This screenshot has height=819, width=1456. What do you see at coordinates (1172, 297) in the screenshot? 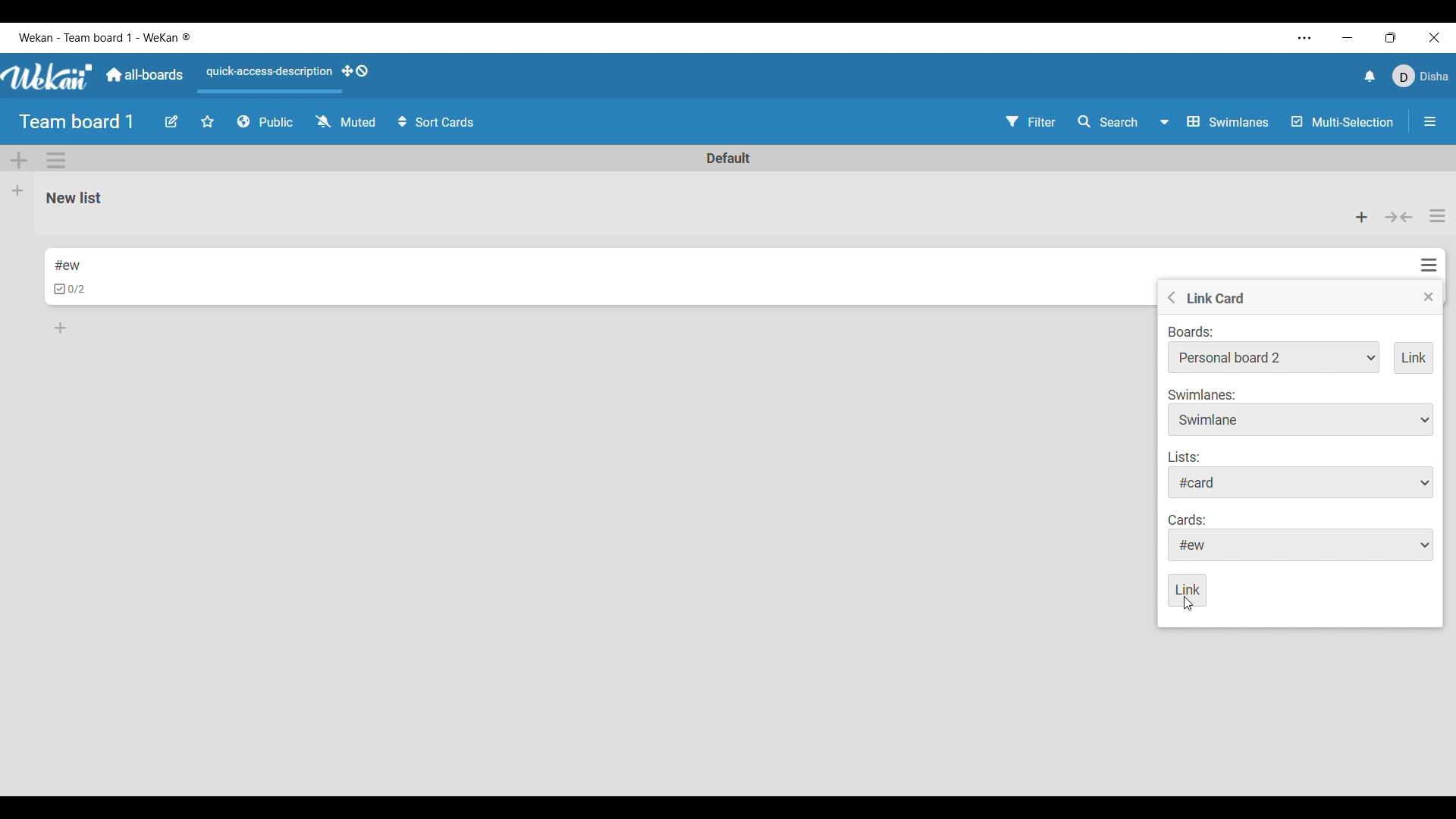
I see `Go to previous menu` at bounding box center [1172, 297].